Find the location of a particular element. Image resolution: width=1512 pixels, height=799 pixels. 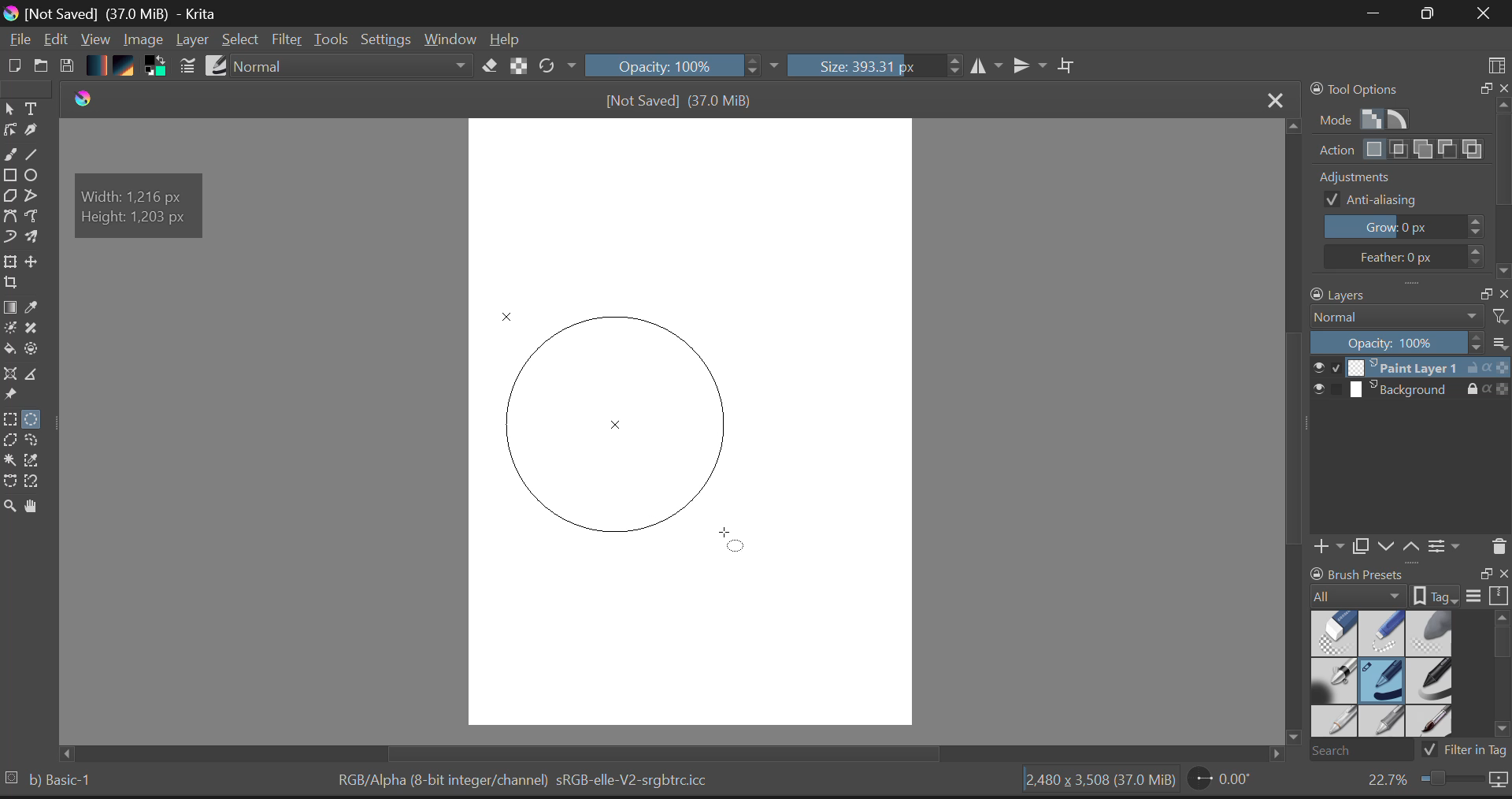

Tools Options Docker is located at coordinates (1408, 179).